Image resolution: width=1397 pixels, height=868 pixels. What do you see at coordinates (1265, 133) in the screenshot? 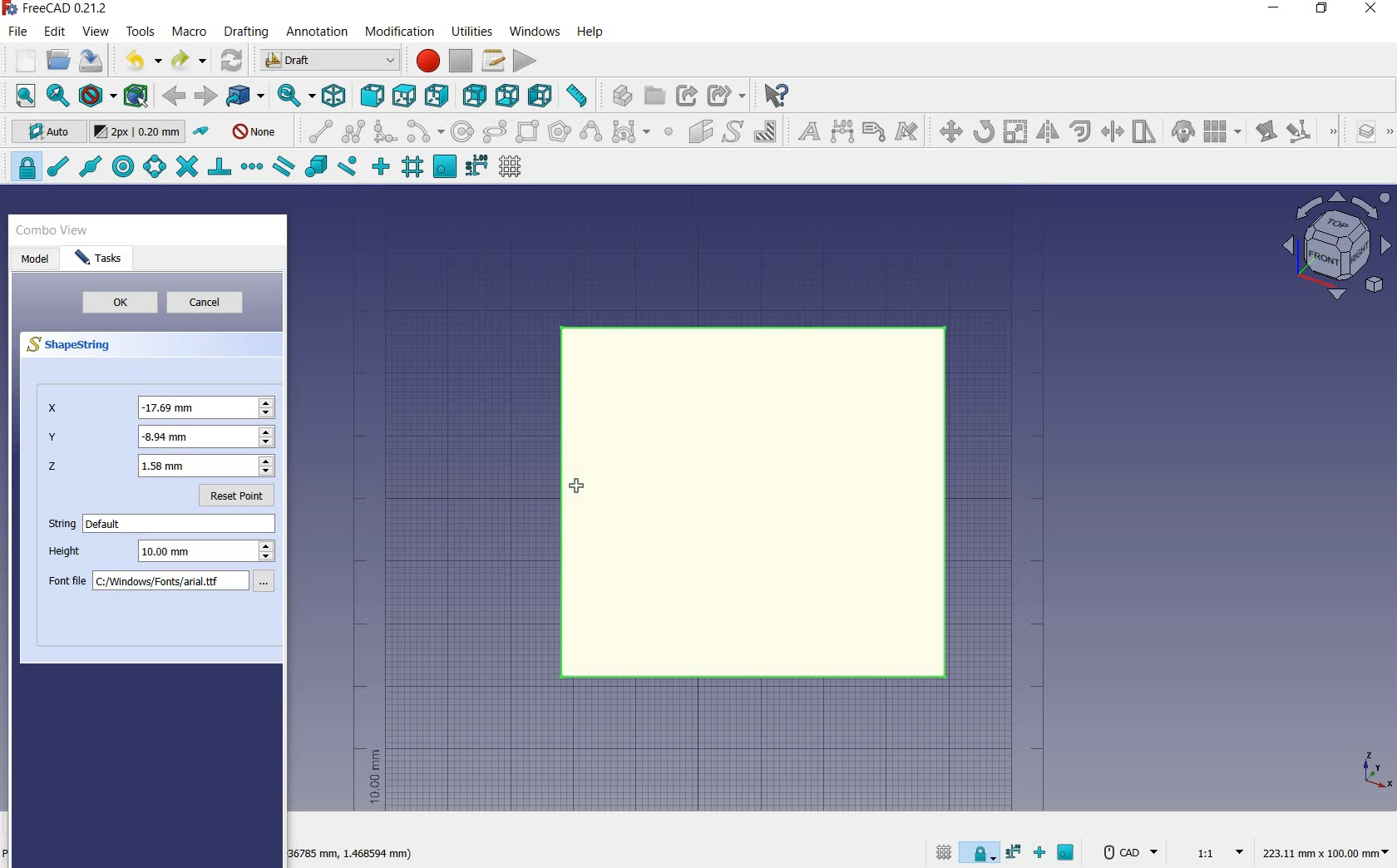
I see `edit` at bounding box center [1265, 133].